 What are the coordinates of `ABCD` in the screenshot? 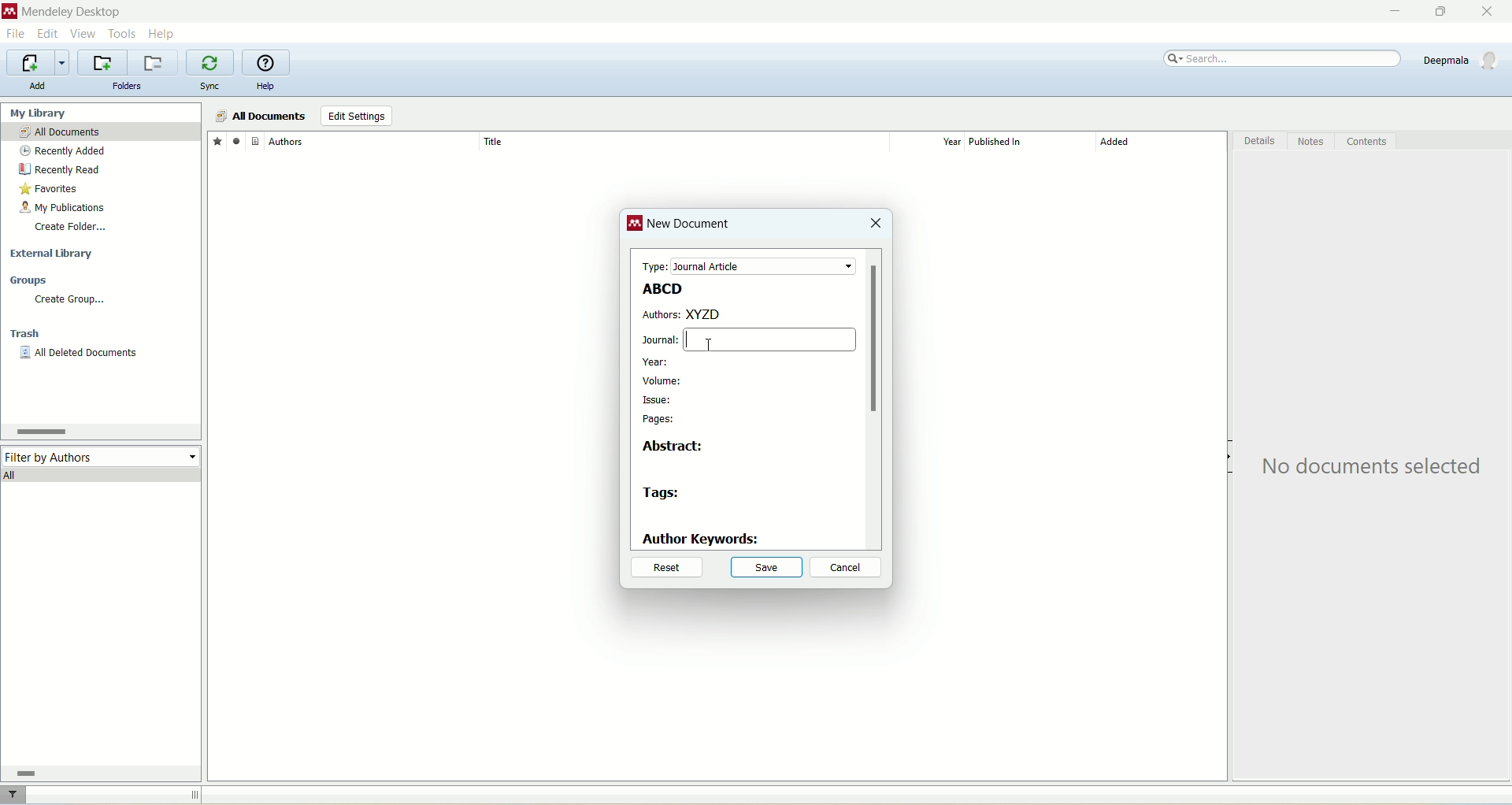 It's located at (659, 288).